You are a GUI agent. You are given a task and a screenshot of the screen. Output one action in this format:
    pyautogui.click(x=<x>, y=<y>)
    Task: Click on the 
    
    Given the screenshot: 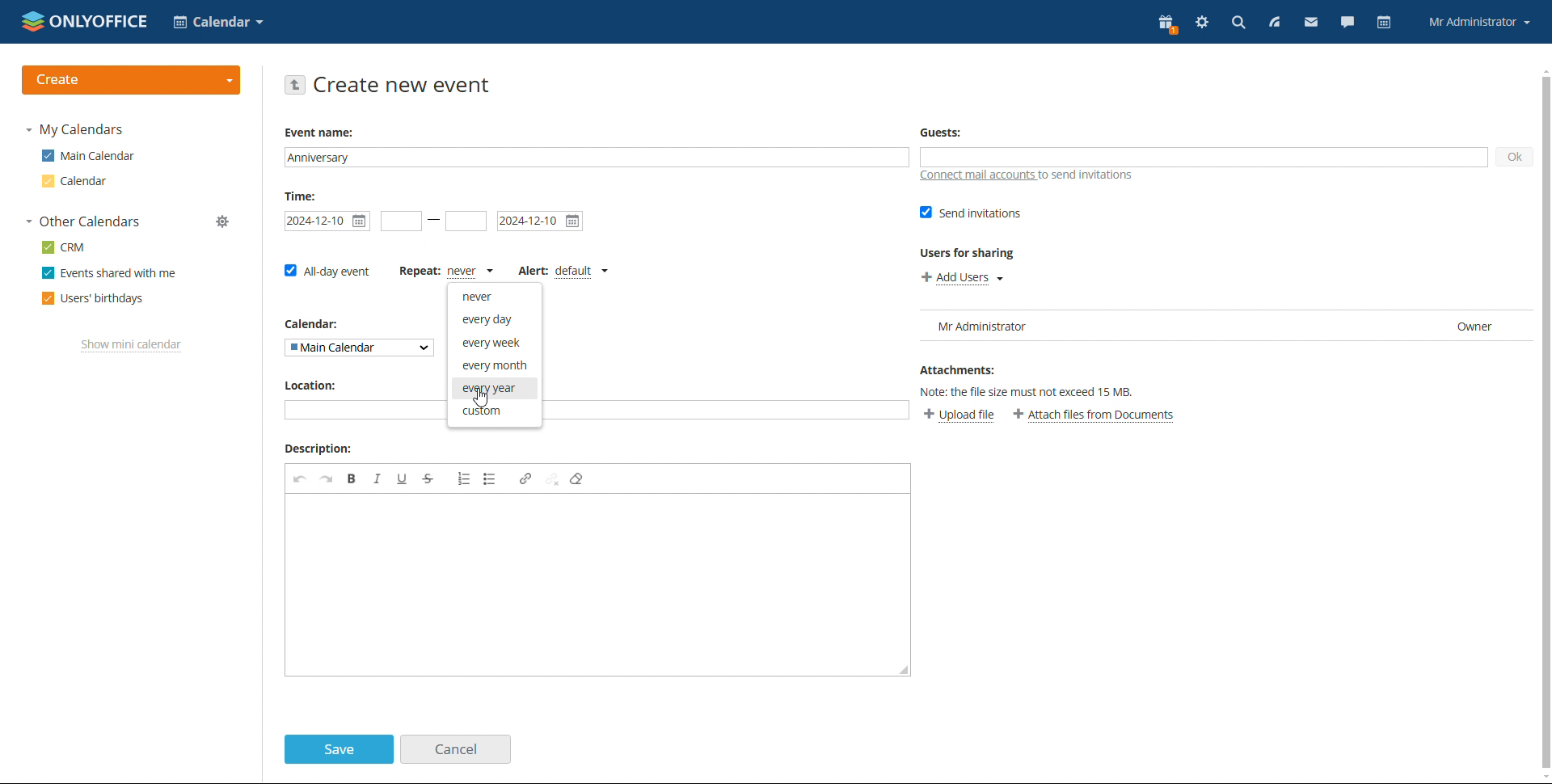 What is the action you would take?
    pyautogui.click(x=1027, y=389)
    